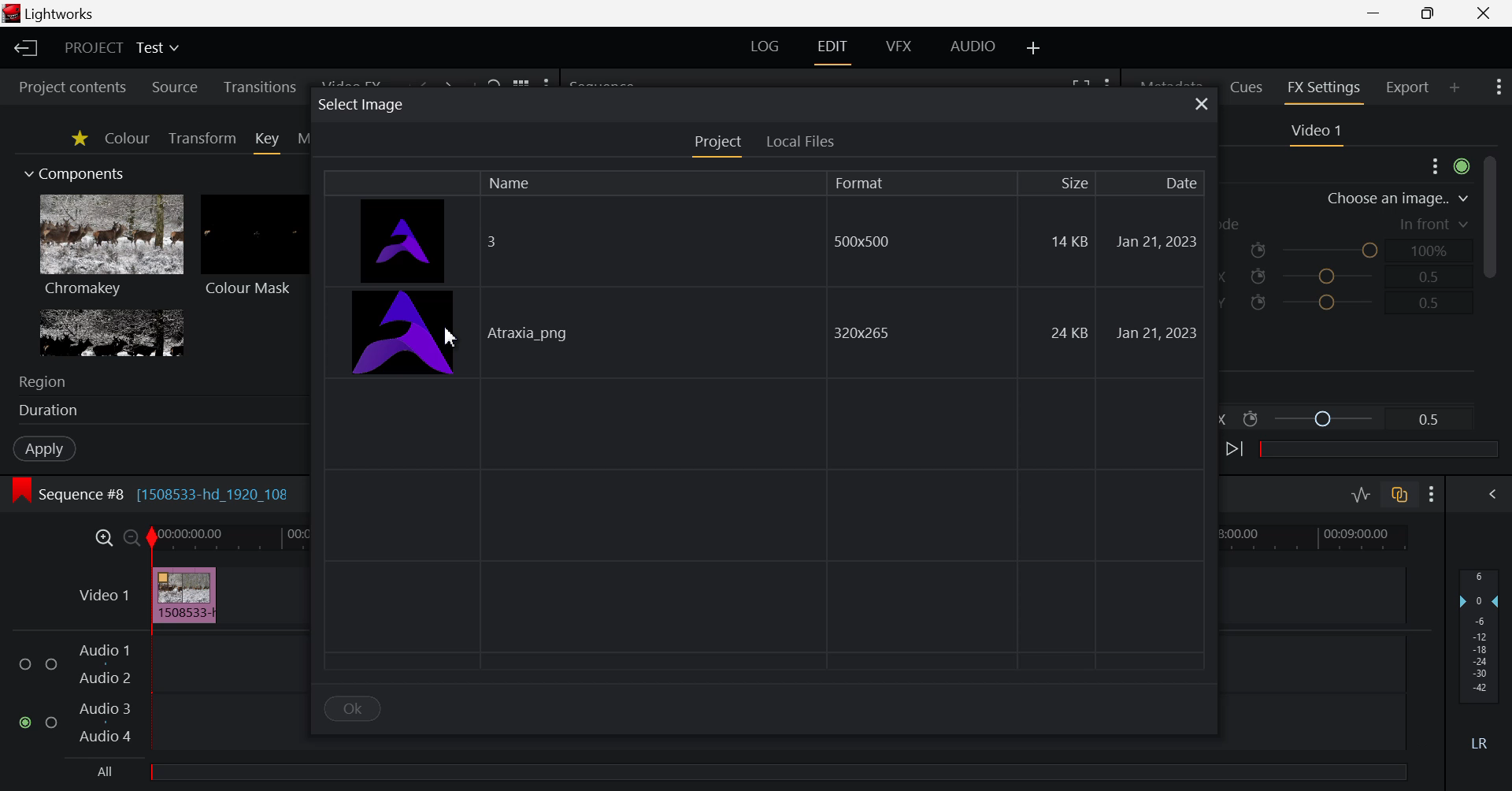 Image resolution: width=1512 pixels, height=791 pixels. What do you see at coordinates (43, 449) in the screenshot?
I see `Apply` at bounding box center [43, 449].